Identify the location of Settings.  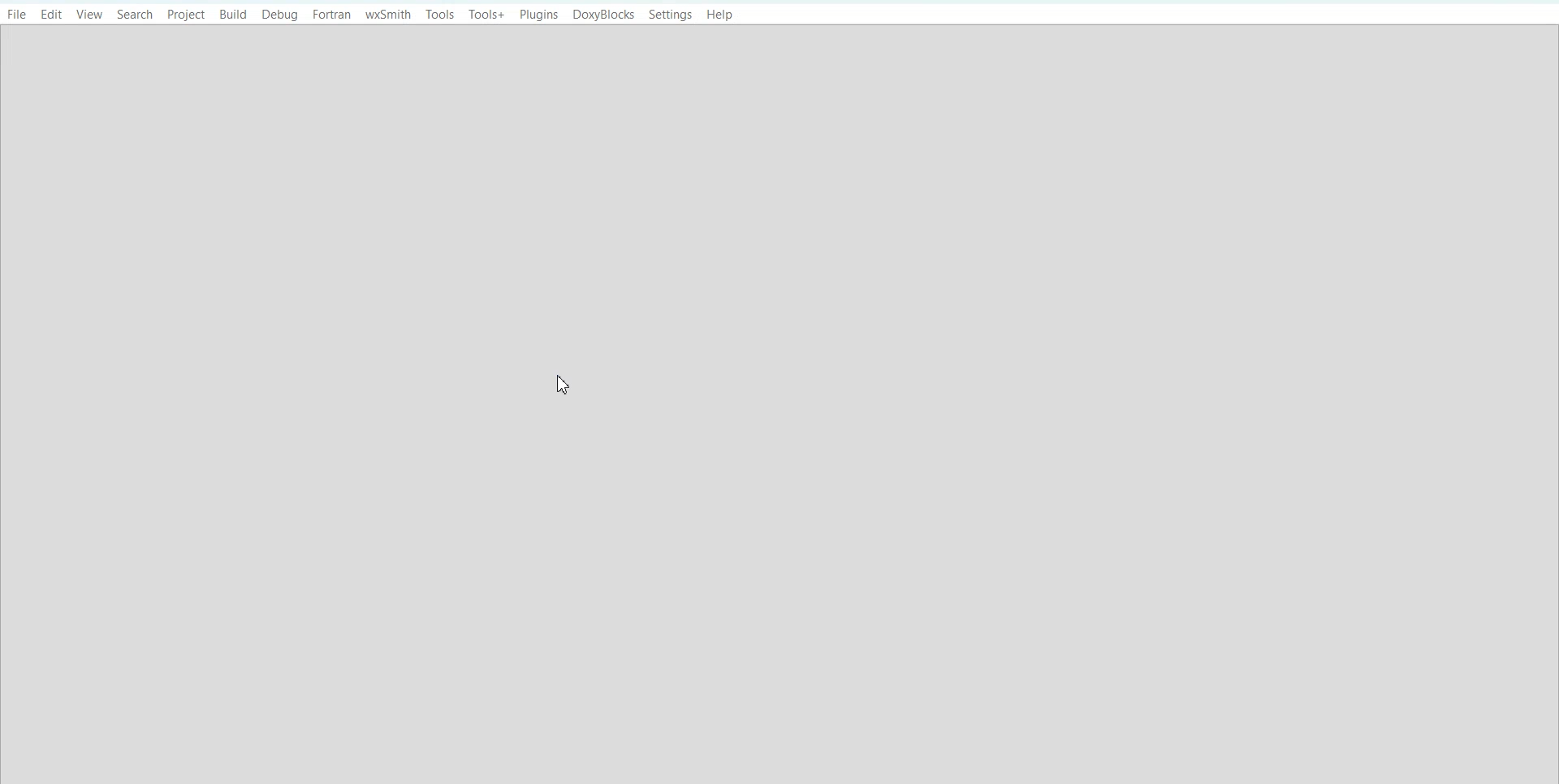
(671, 15).